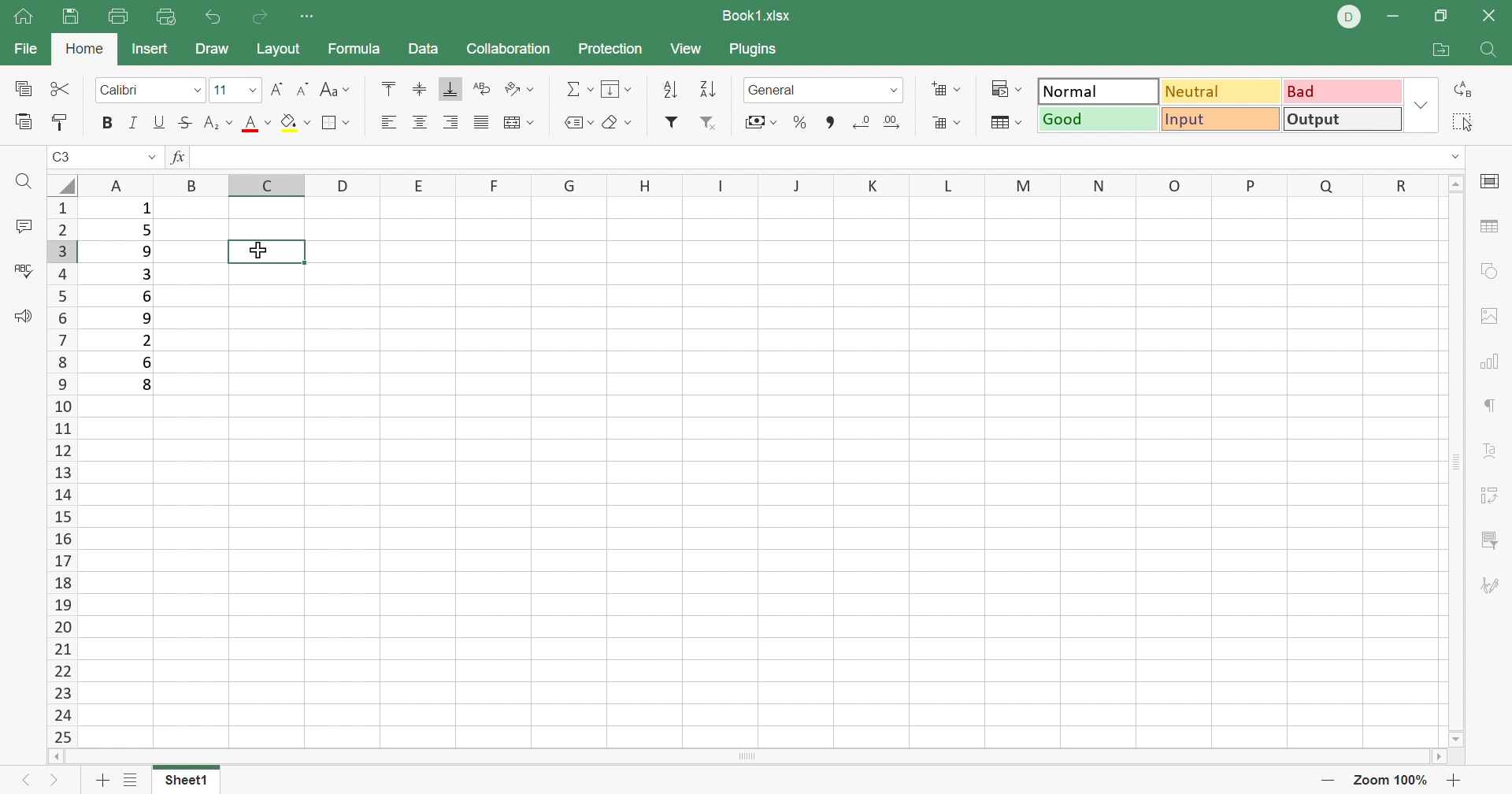  What do you see at coordinates (1488, 405) in the screenshot?
I see `paragraph settings` at bounding box center [1488, 405].